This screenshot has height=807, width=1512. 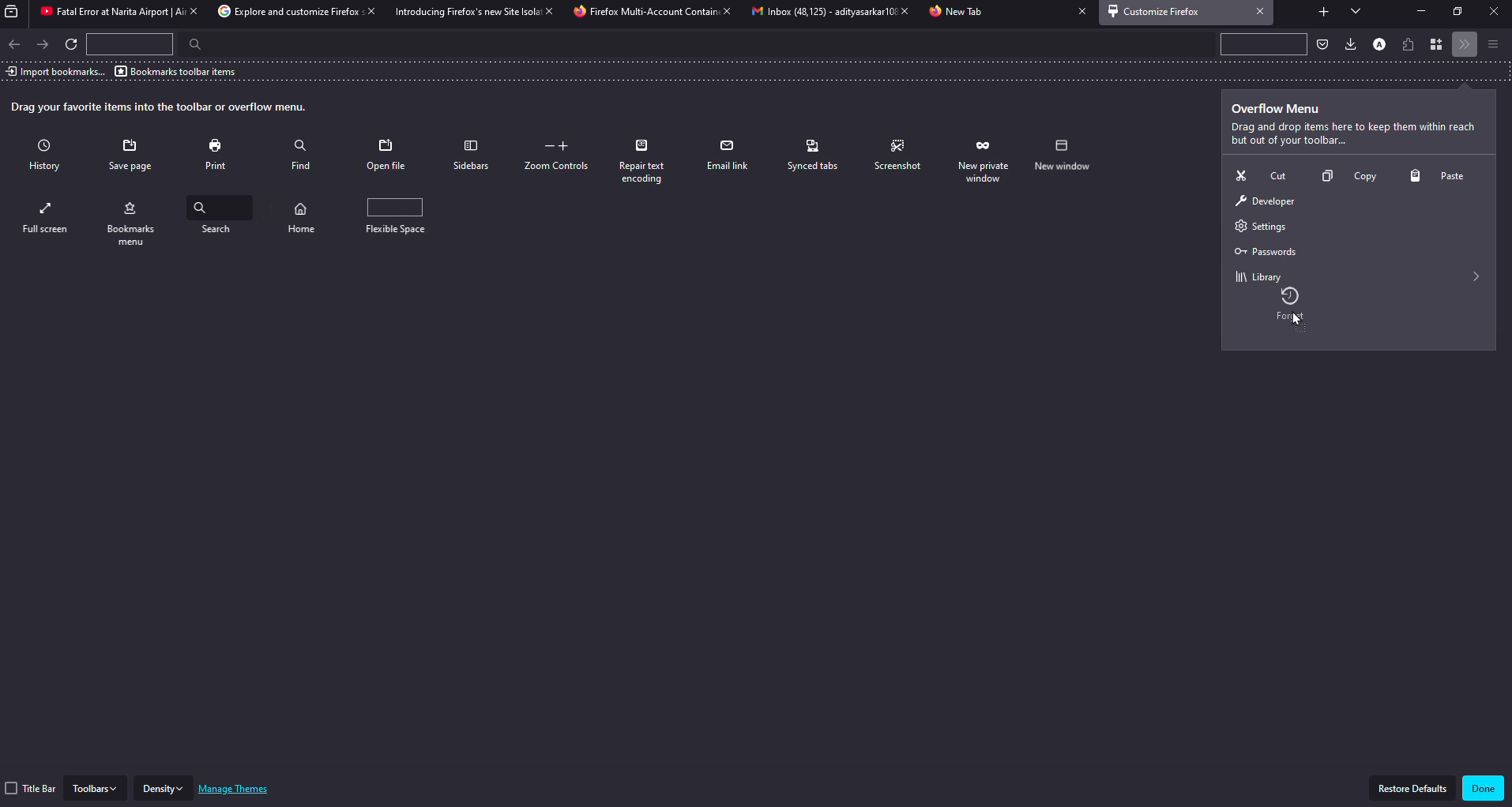 What do you see at coordinates (96, 787) in the screenshot?
I see `toolbars` at bounding box center [96, 787].